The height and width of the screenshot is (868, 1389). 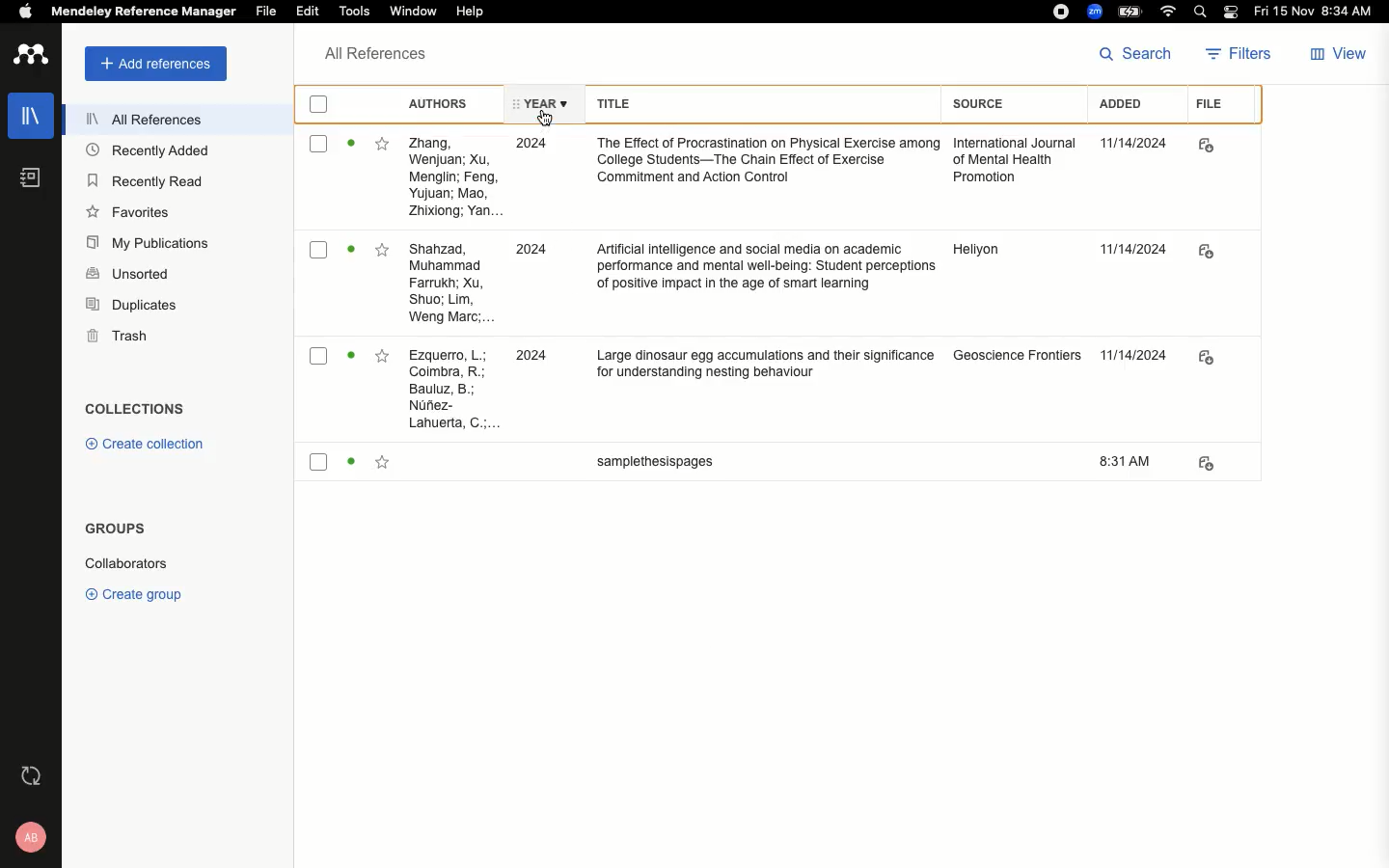 I want to click on added label, so click(x=1127, y=104).